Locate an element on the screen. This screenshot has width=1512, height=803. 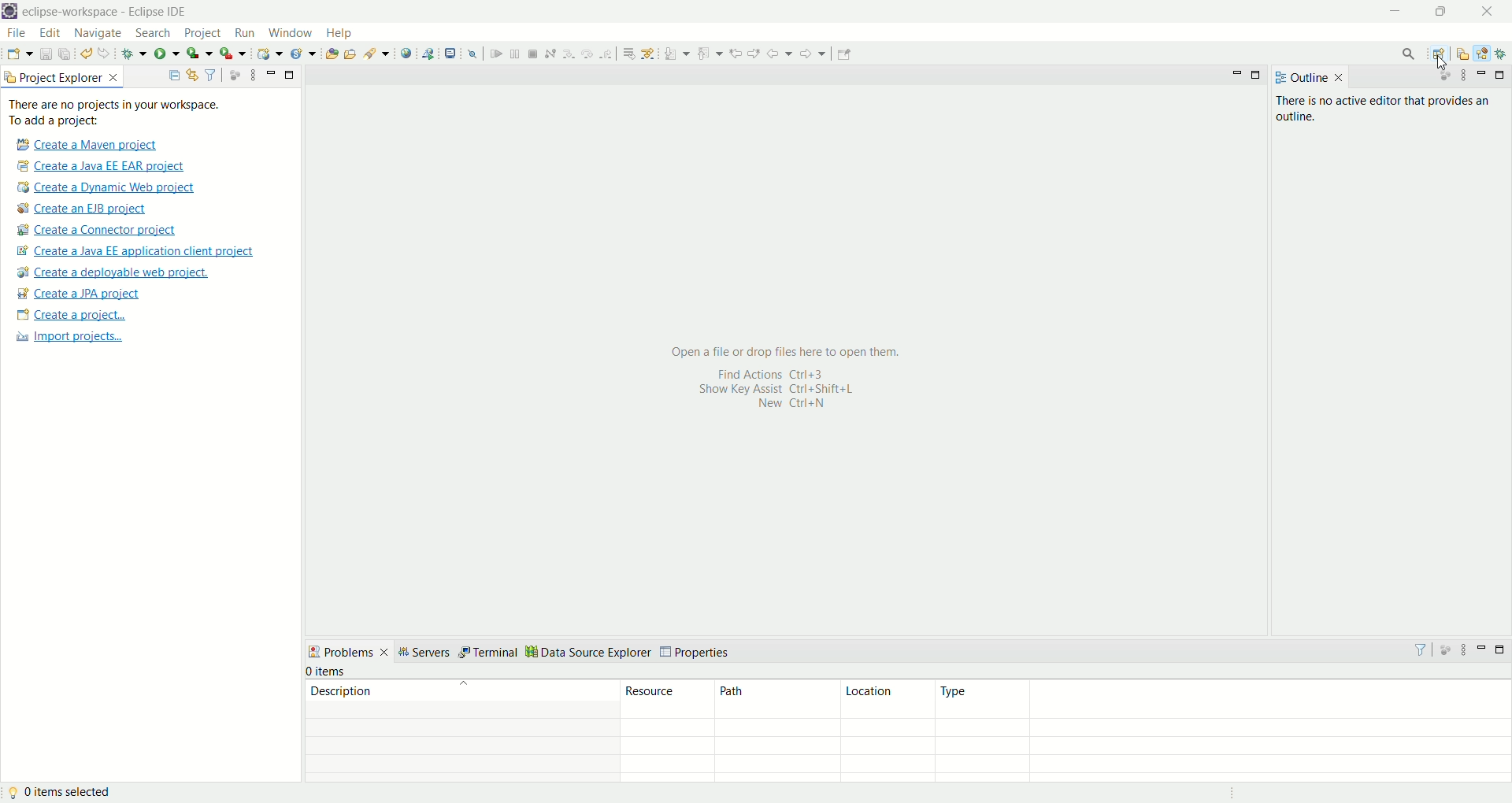
maximize is located at coordinates (289, 73).